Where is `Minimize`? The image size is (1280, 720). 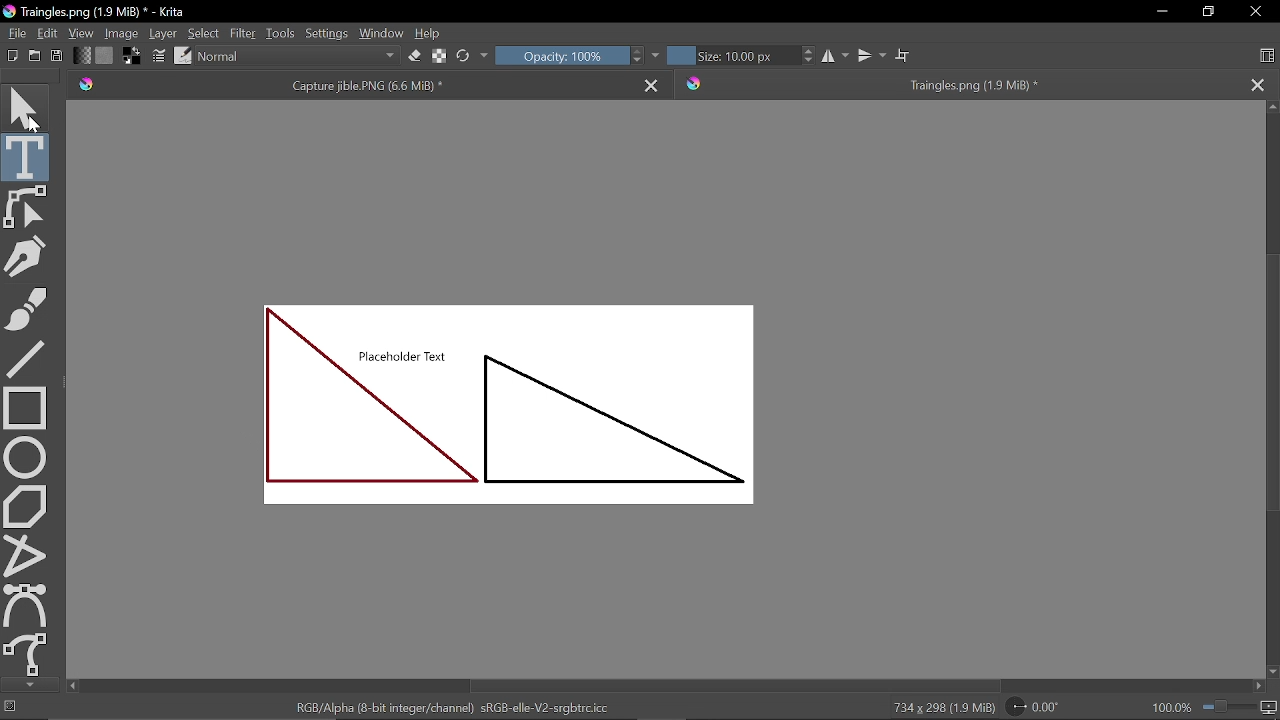
Minimize is located at coordinates (1164, 11).